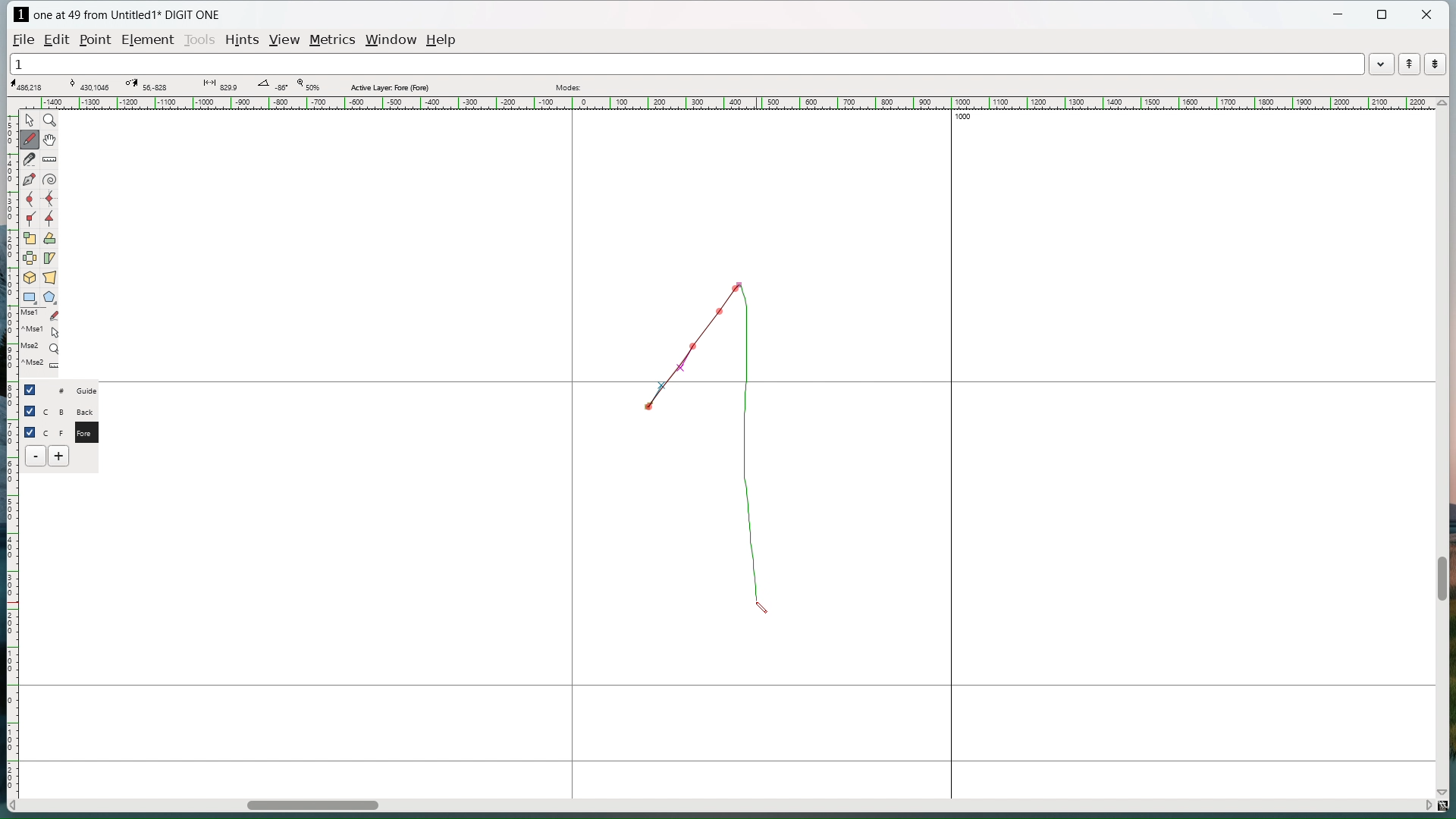 The height and width of the screenshot is (819, 1456). What do you see at coordinates (60, 456) in the screenshot?
I see `add layer` at bounding box center [60, 456].